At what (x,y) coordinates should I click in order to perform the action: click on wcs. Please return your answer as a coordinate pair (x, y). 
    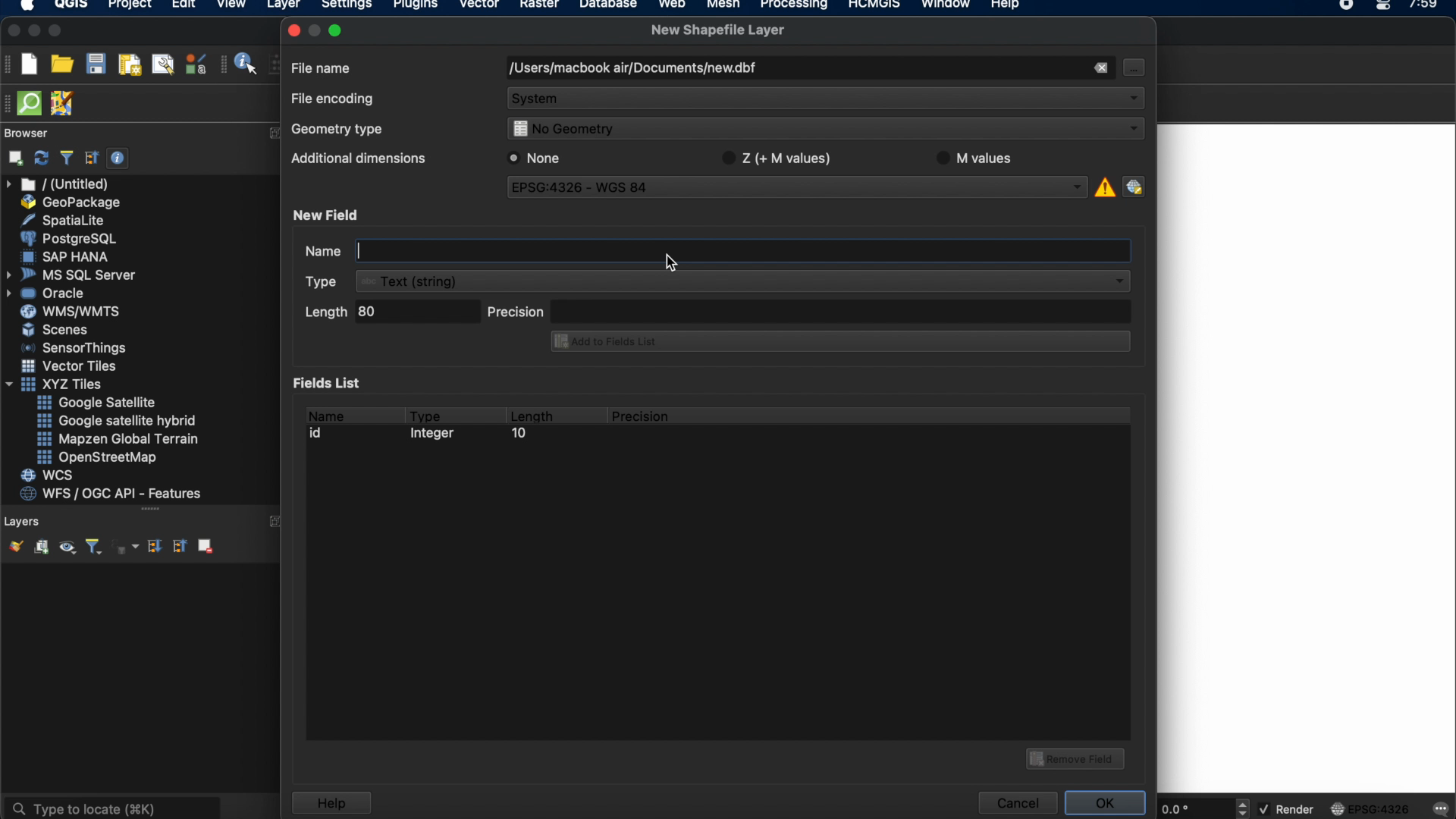
    Looking at the image, I should click on (49, 476).